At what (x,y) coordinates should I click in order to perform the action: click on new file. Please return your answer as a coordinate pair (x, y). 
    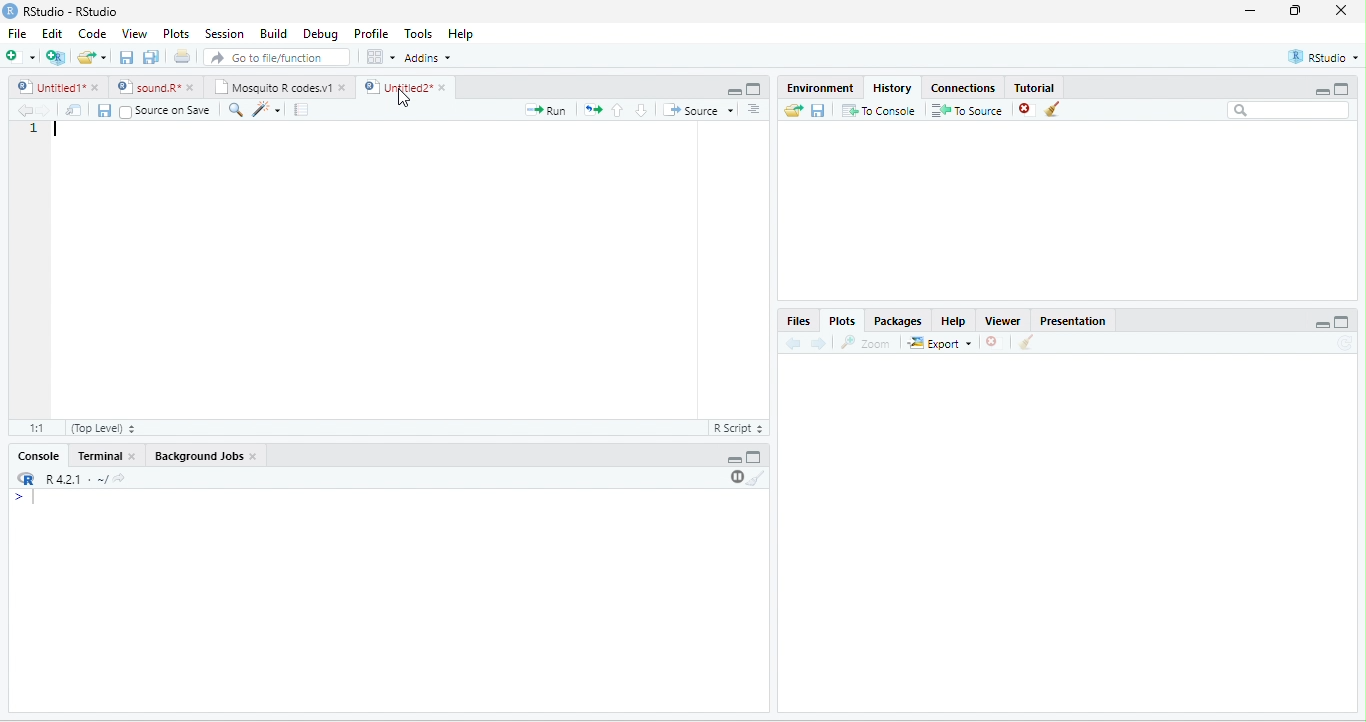
    Looking at the image, I should click on (20, 56).